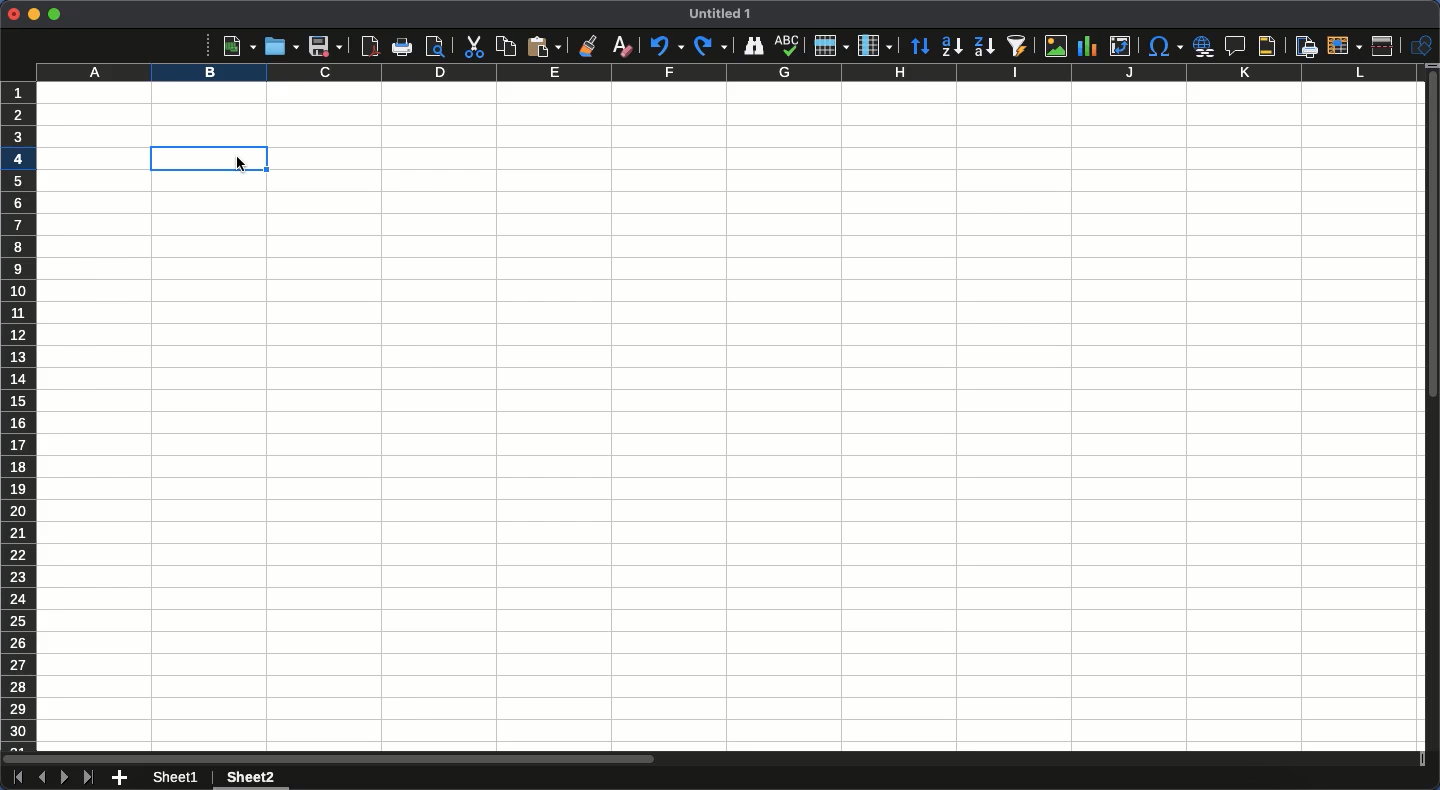  What do you see at coordinates (179, 778) in the screenshot?
I see `Sheet 1` at bounding box center [179, 778].